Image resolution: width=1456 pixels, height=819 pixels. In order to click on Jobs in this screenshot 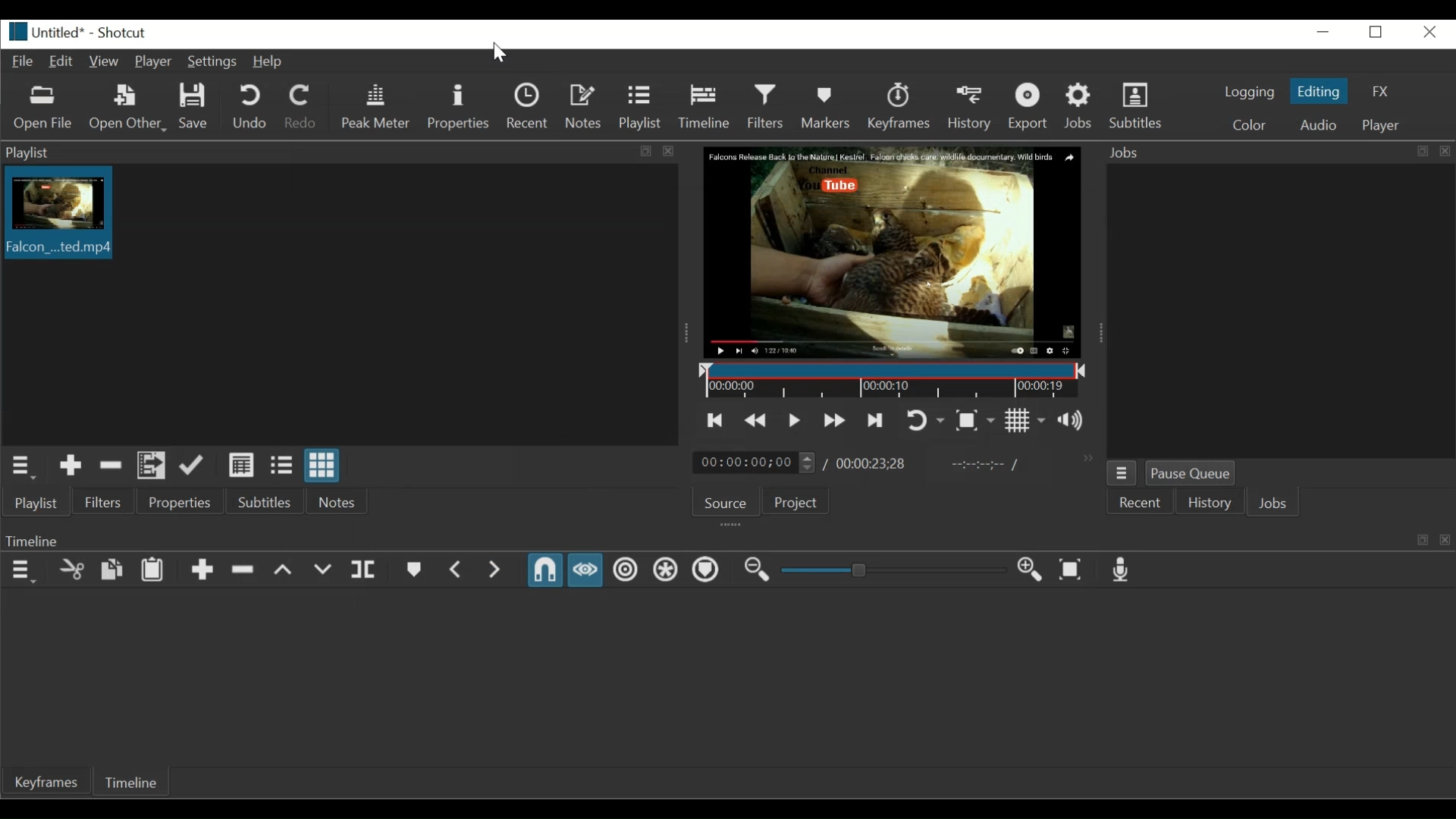, I will do `click(1271, 503)`.